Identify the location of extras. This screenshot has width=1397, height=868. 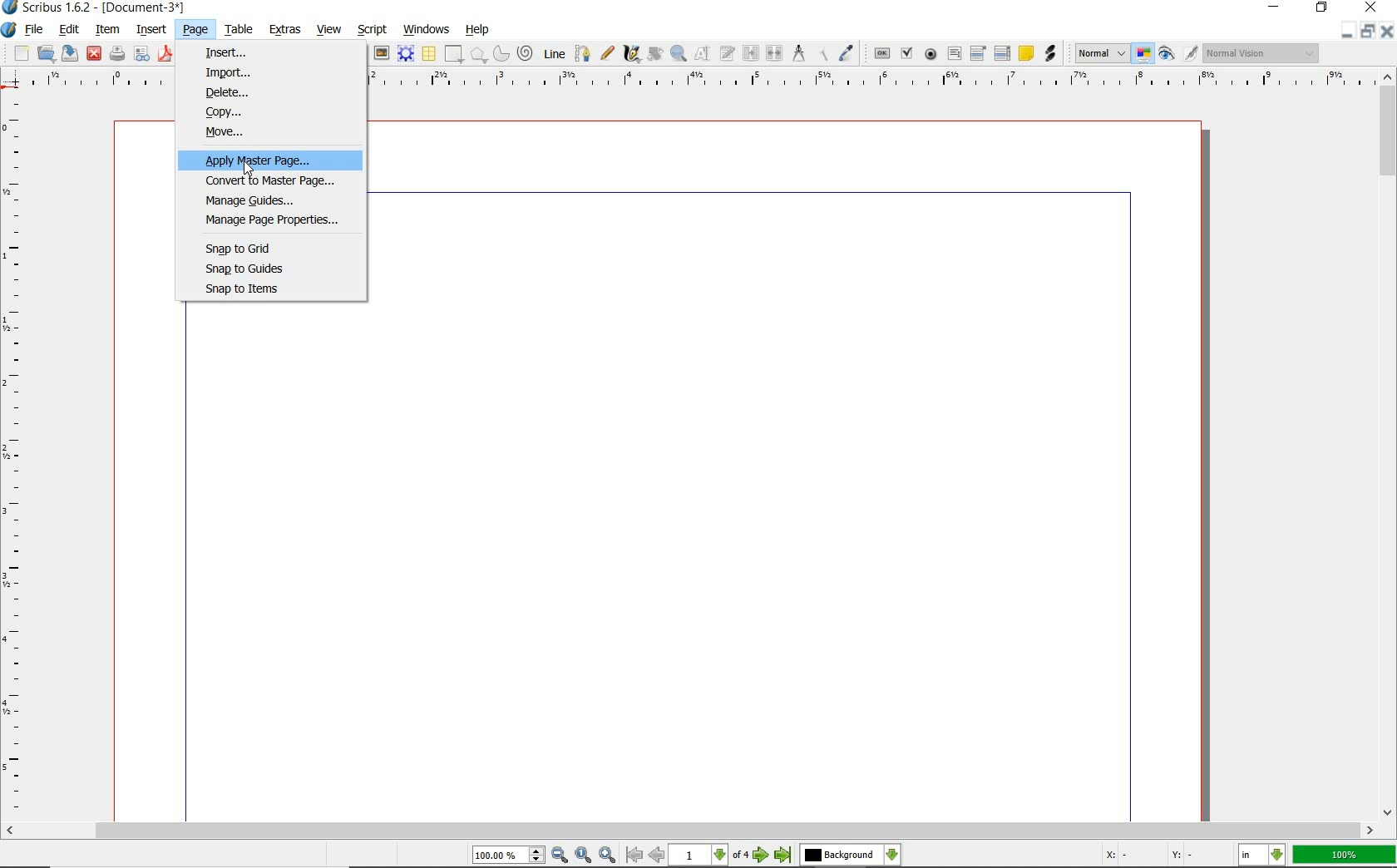
(284, 27).